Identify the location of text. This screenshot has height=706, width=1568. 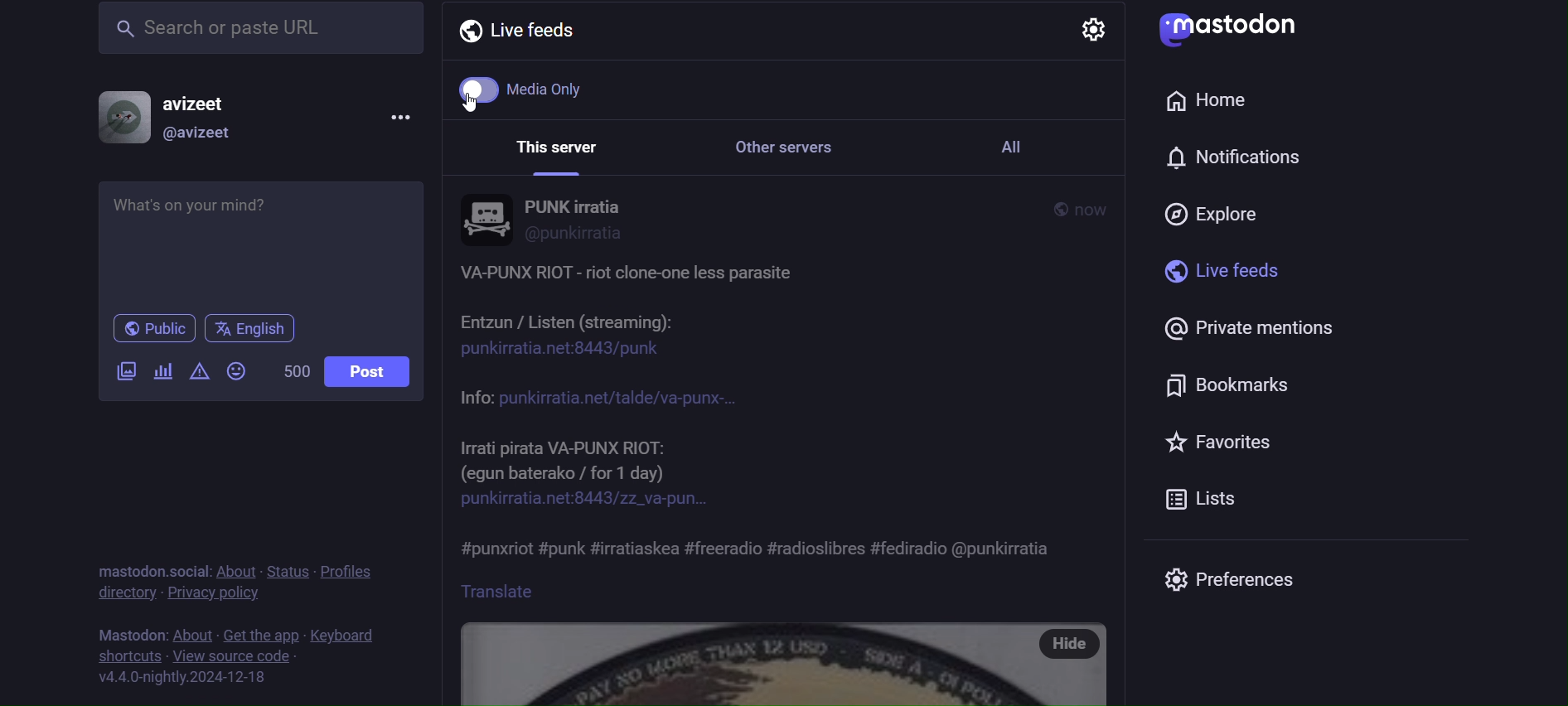
(123, 631).